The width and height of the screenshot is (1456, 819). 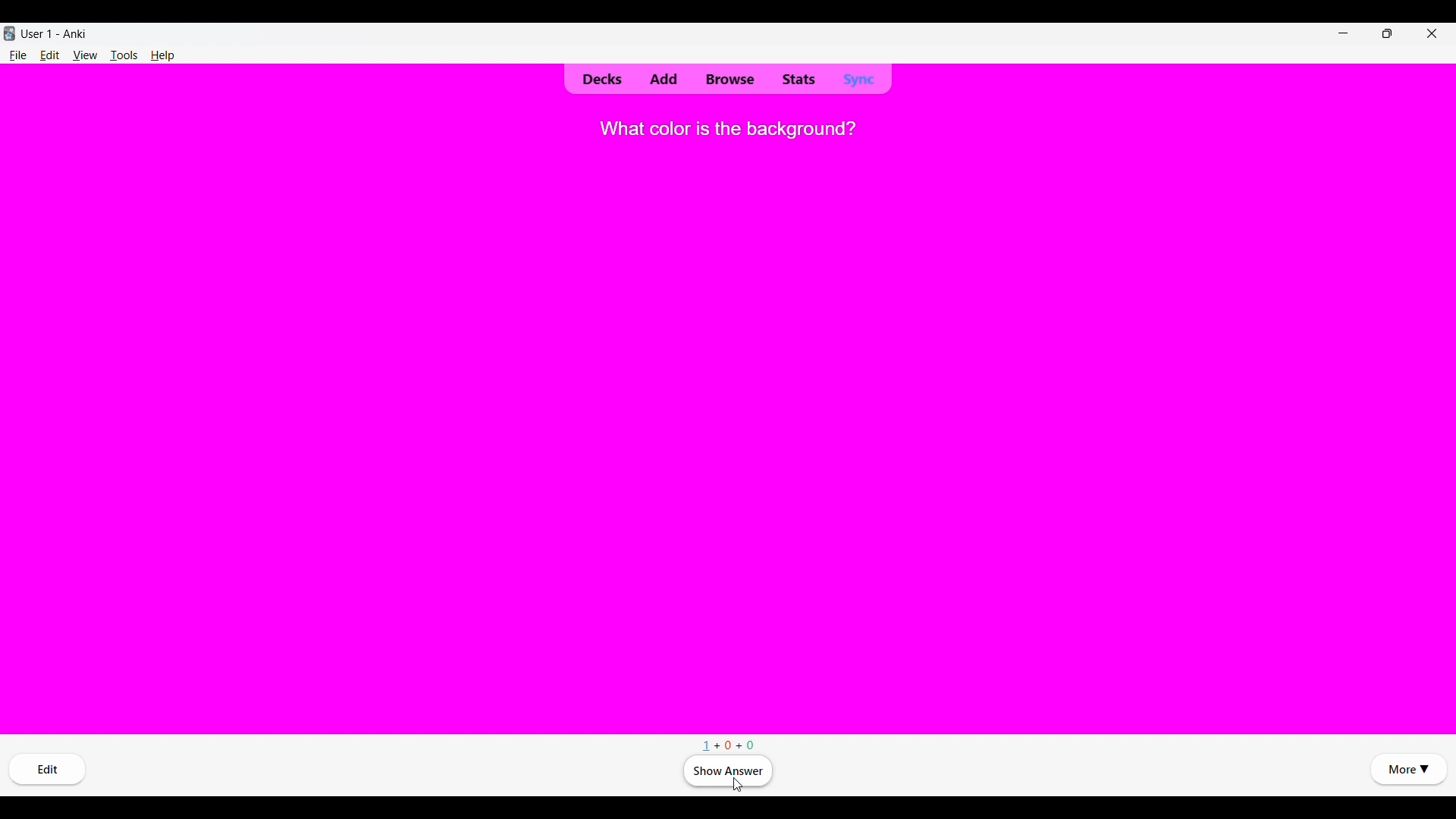 I want to click on Tools menu, so click(x=124, y=55).